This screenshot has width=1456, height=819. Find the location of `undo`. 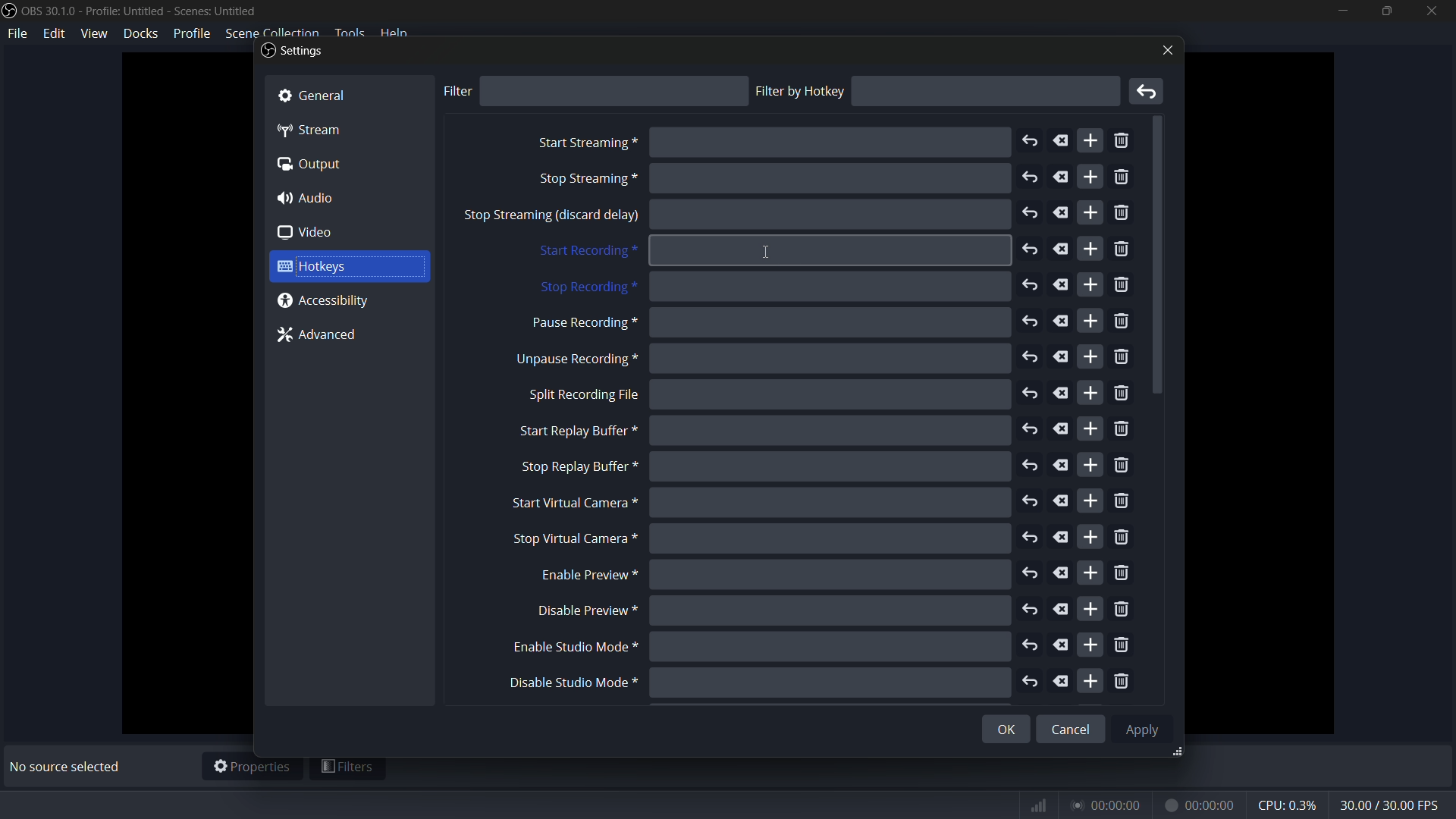

undo is located at coordinates (1029, 393).